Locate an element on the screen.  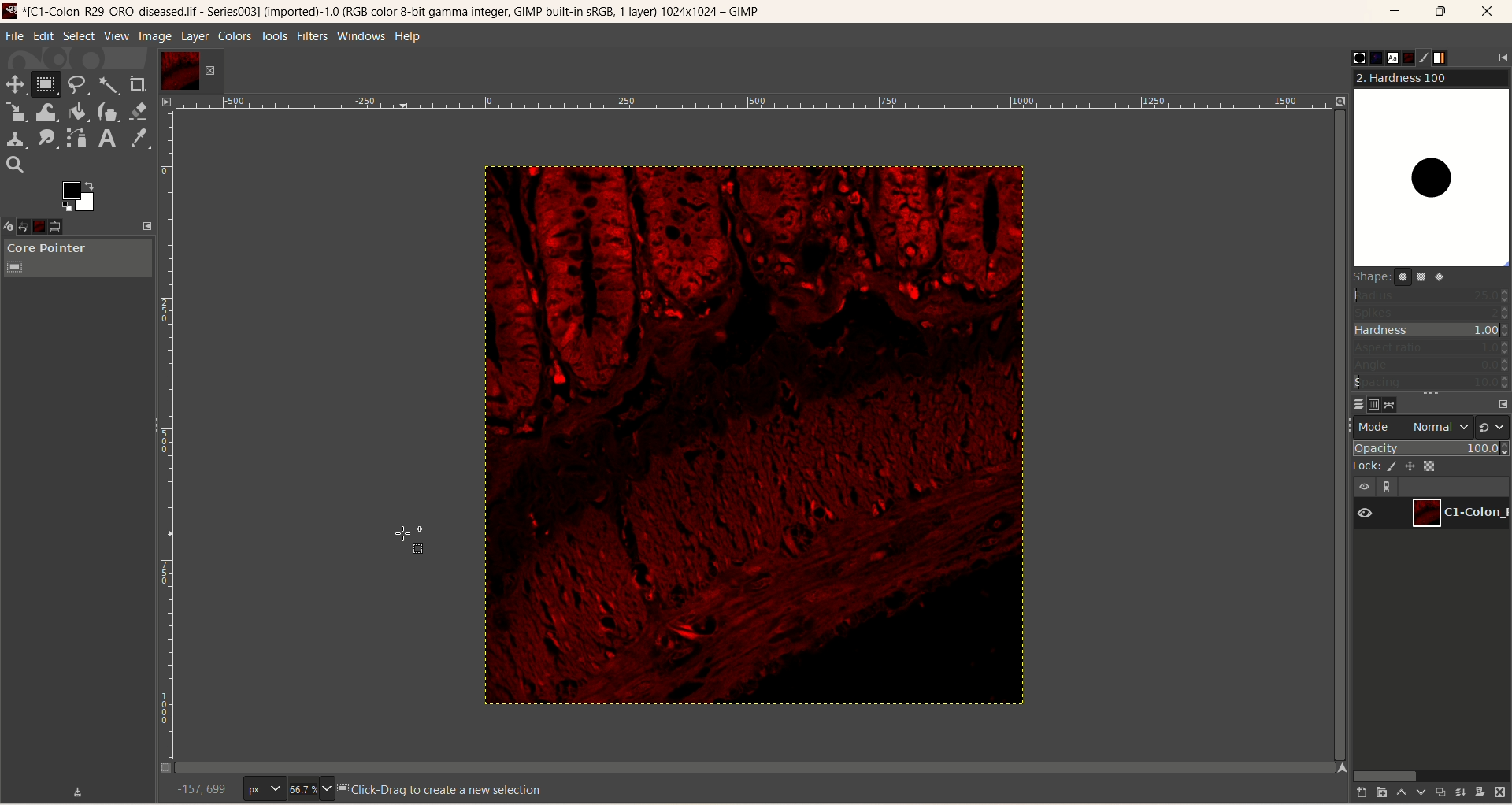
title is located at coordinates (400, 13).